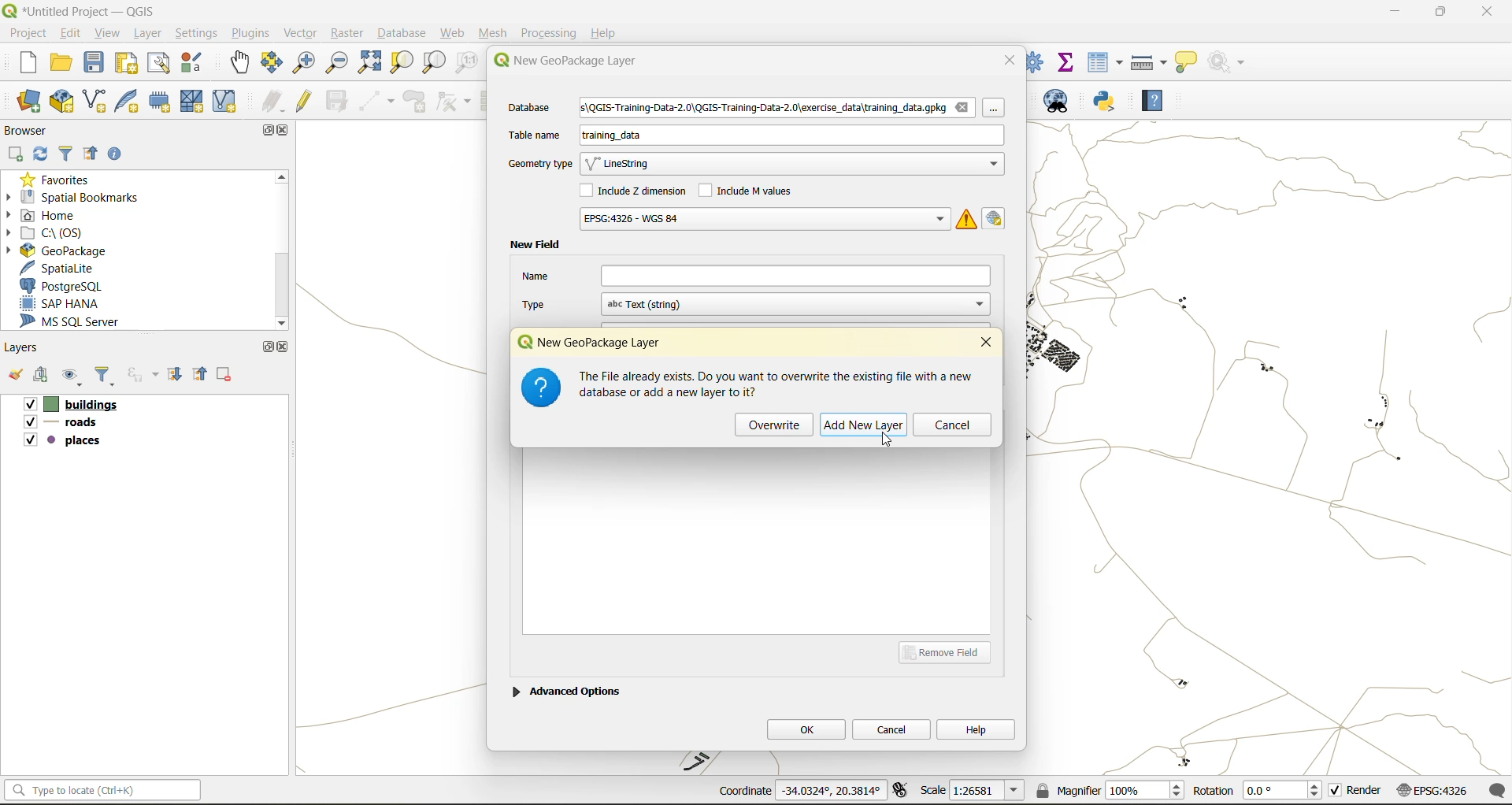 The height and width of the screenshot is (805, 1512). What do you see at coordinates (535, 109) in the screenshot?
I see `database` at bounding box center [535, 109].